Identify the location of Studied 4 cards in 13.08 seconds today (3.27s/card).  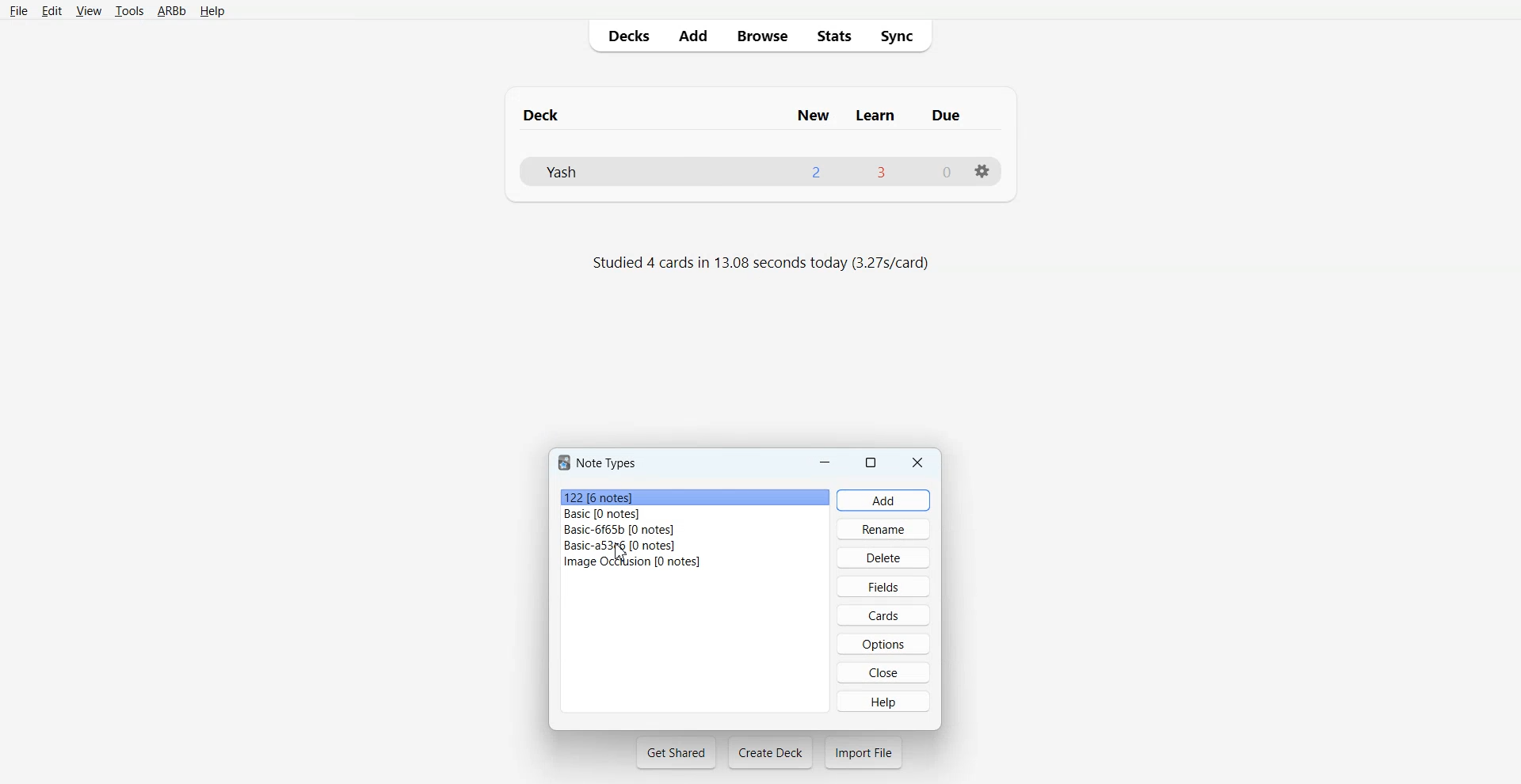
(764, 264).